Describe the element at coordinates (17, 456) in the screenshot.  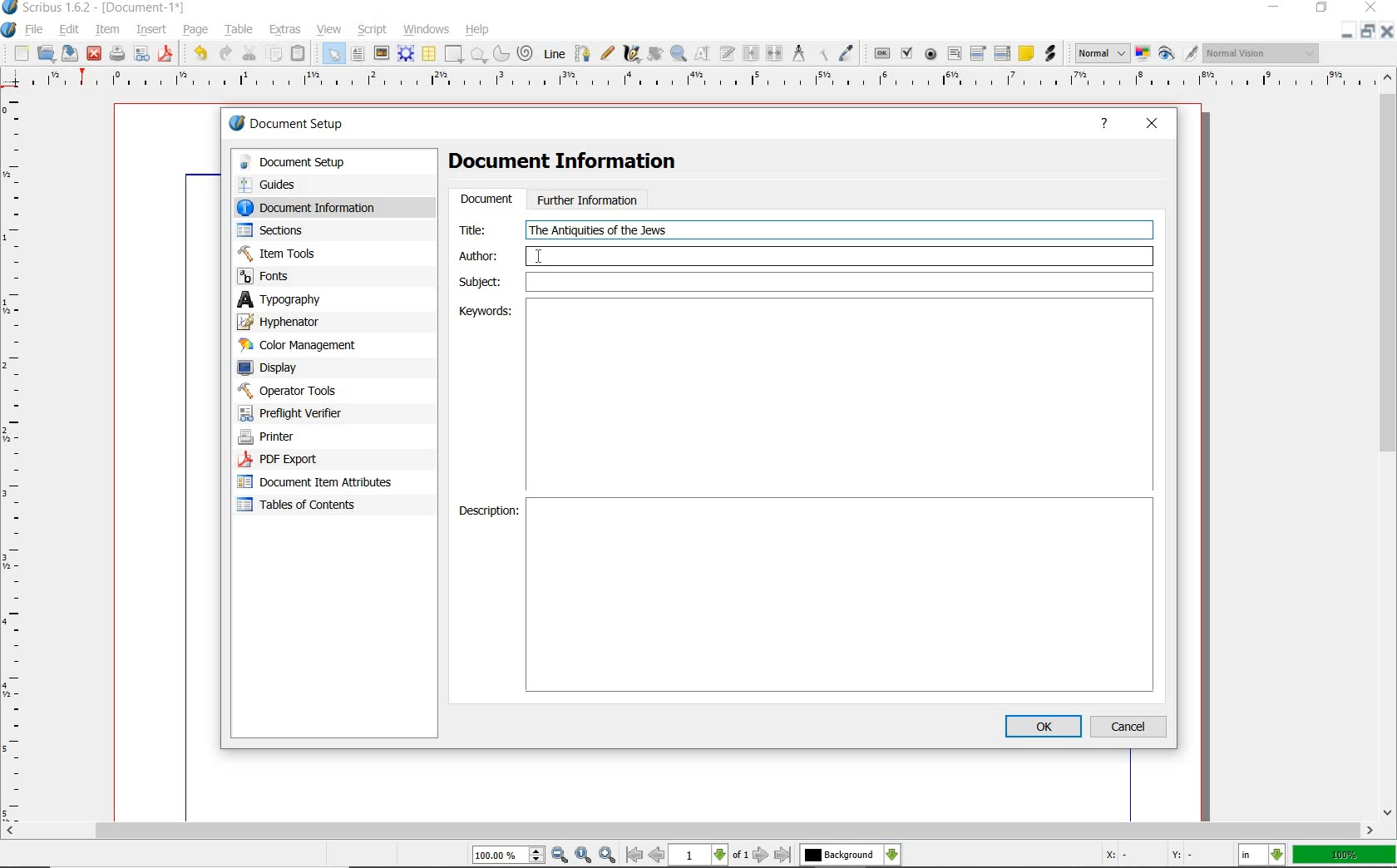
I see `ruler` at that location.